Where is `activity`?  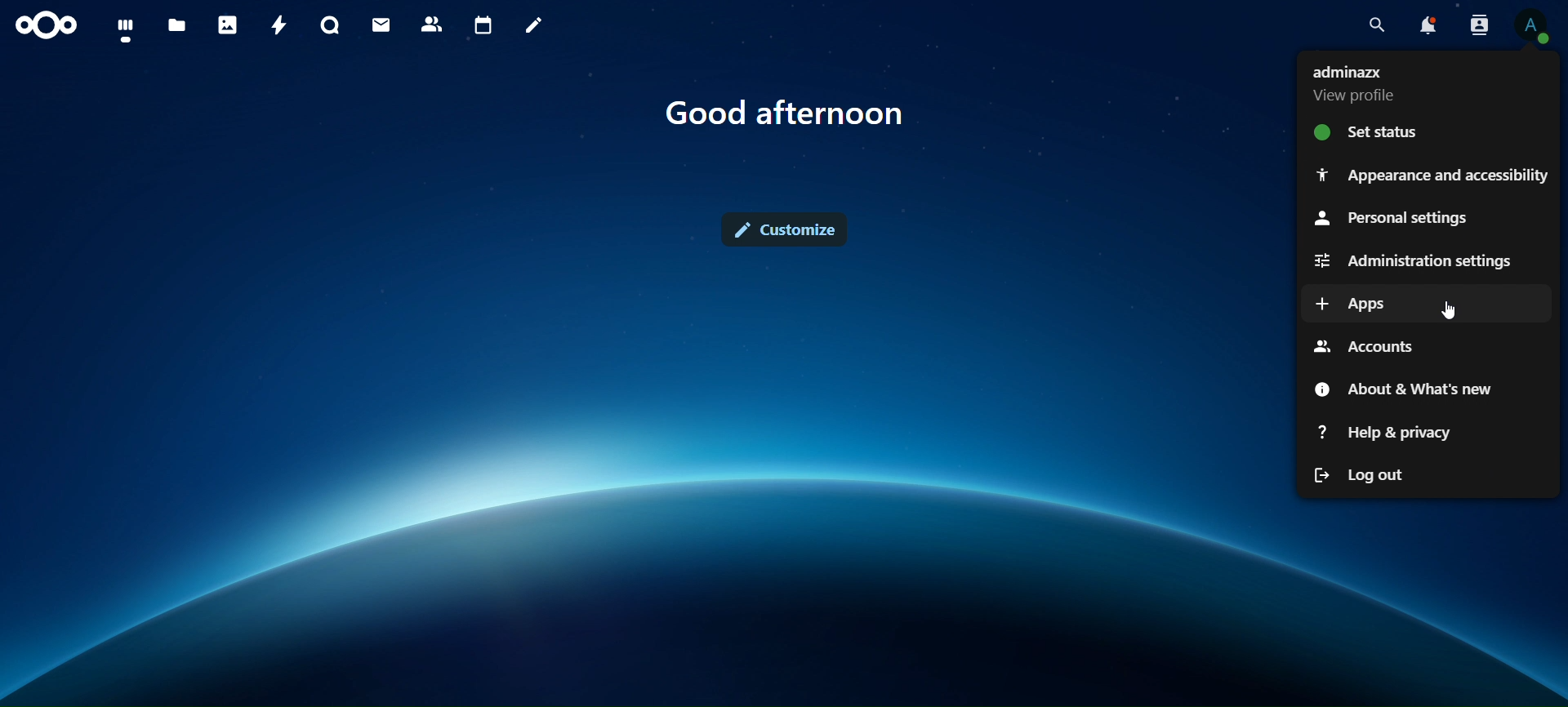
activity is located at coordinates (278, 24).